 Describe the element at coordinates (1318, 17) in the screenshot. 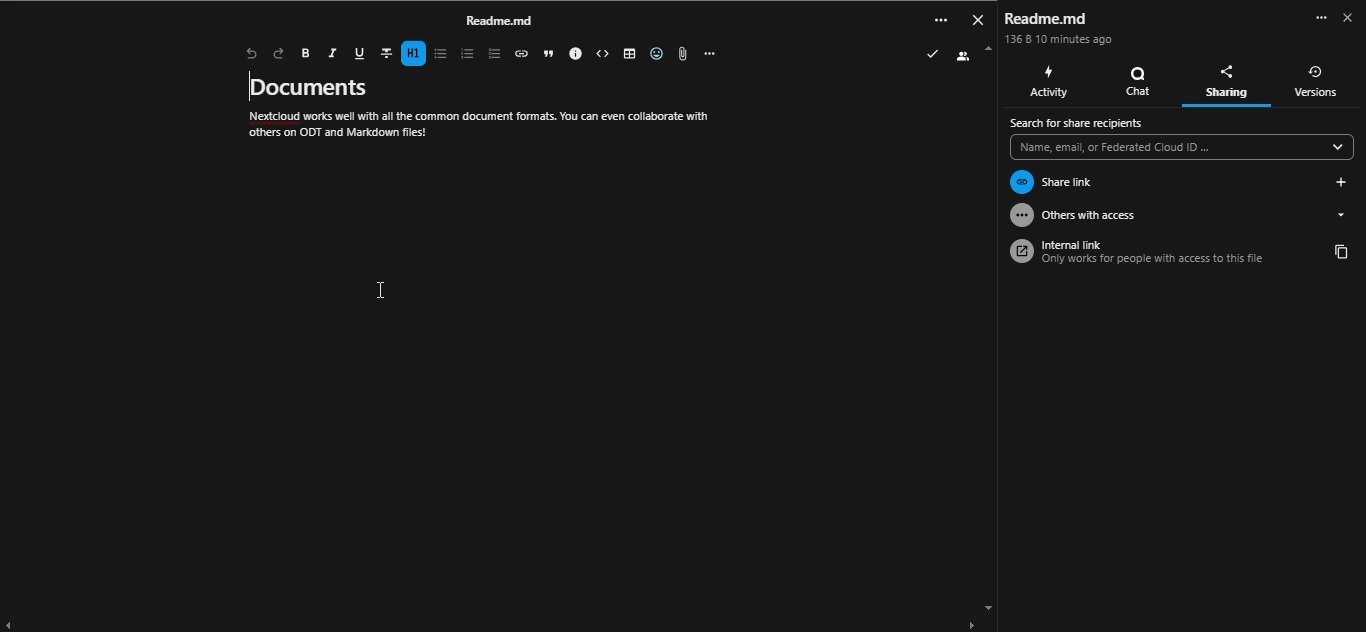

I see `more` at that location.